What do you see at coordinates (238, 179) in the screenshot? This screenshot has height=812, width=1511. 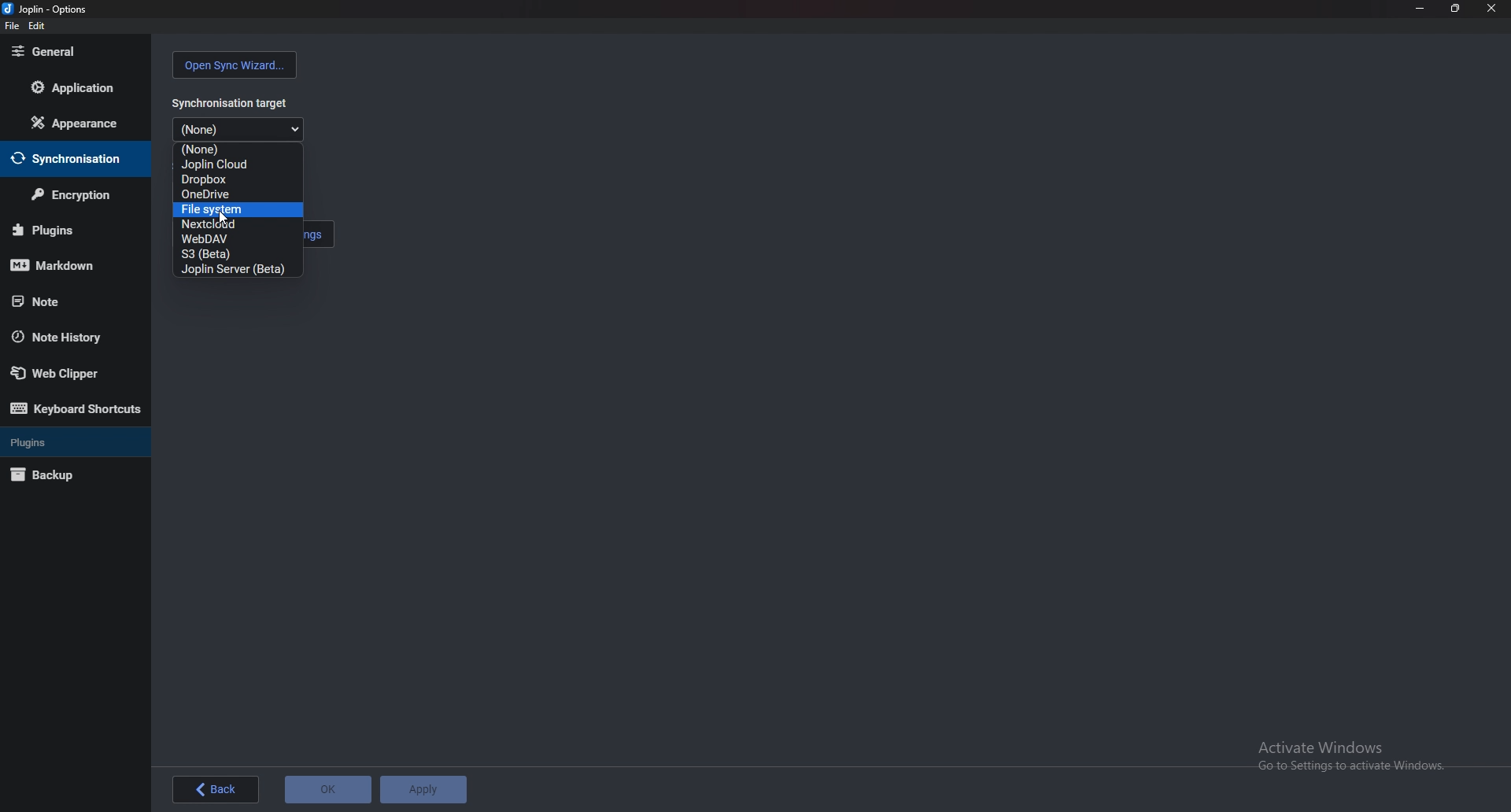 I see `dropbox` at bounding box center [238, 179].